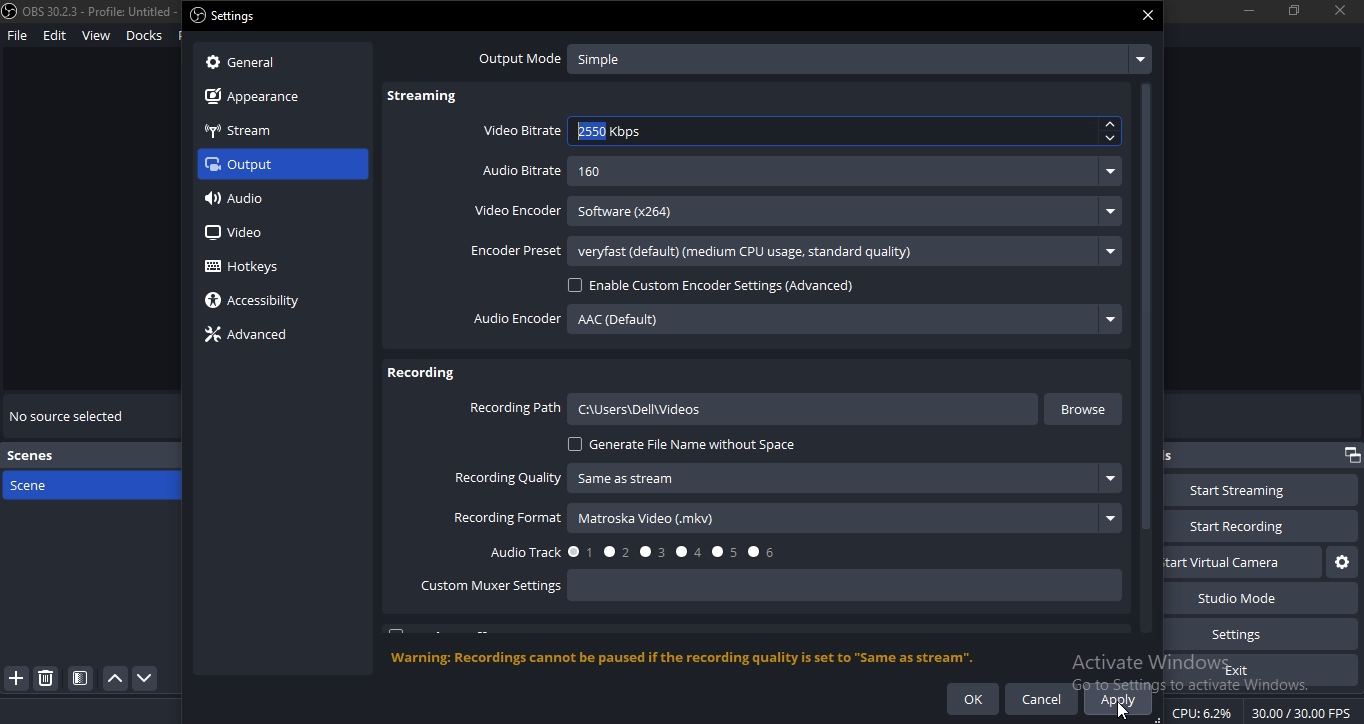 The height and width of the screenshot is (724, 1364). I want to click on audio, so click(242, 198).